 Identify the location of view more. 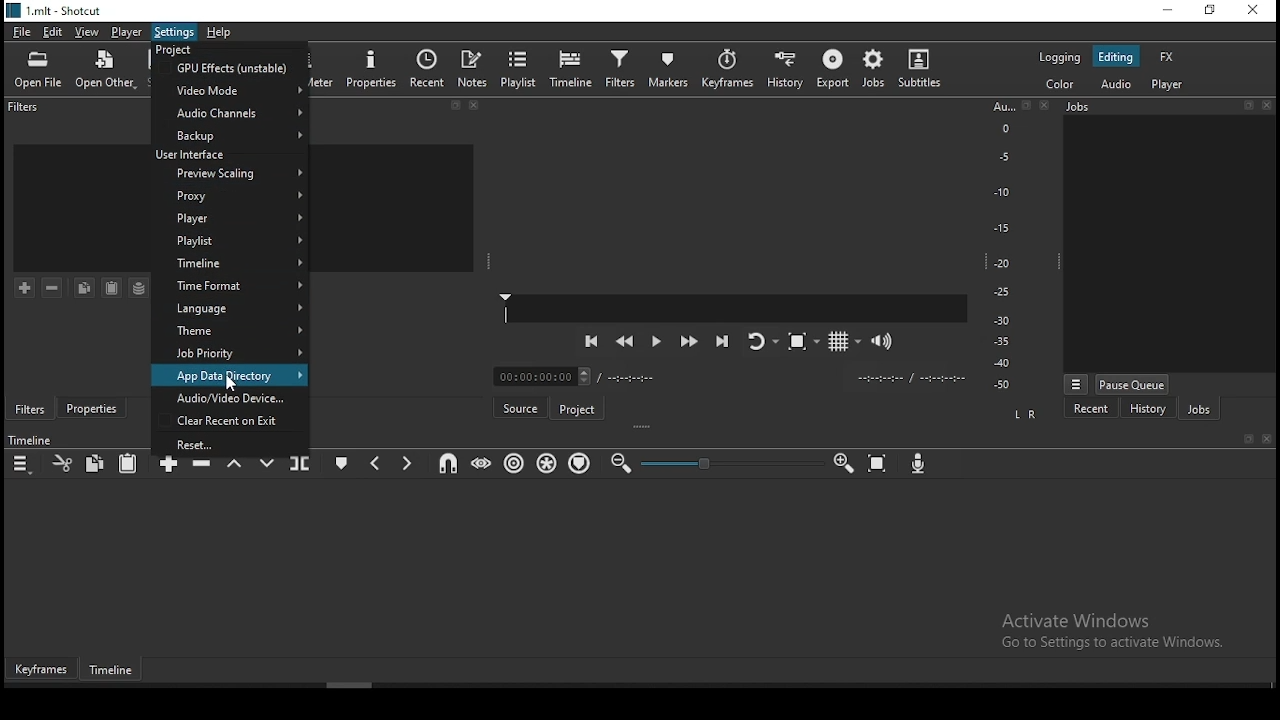
(1075, 383).